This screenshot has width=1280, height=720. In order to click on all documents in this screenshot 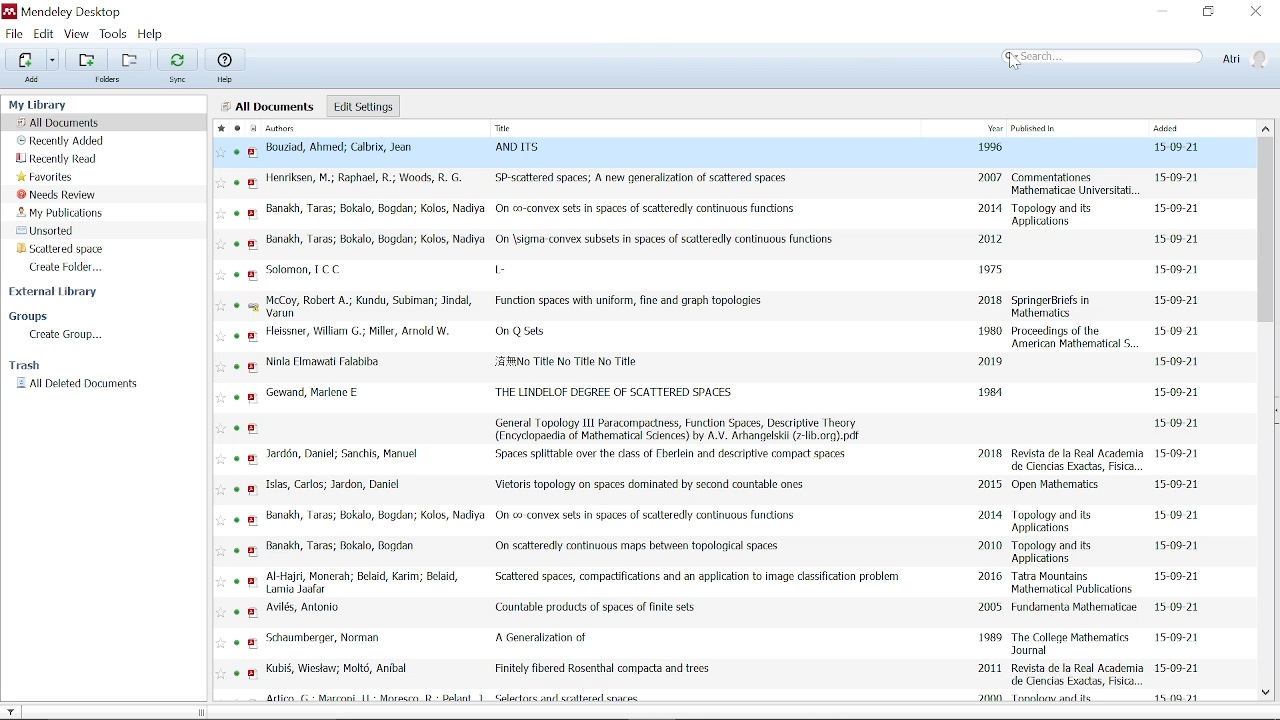, I will do `click(268, 107)`.